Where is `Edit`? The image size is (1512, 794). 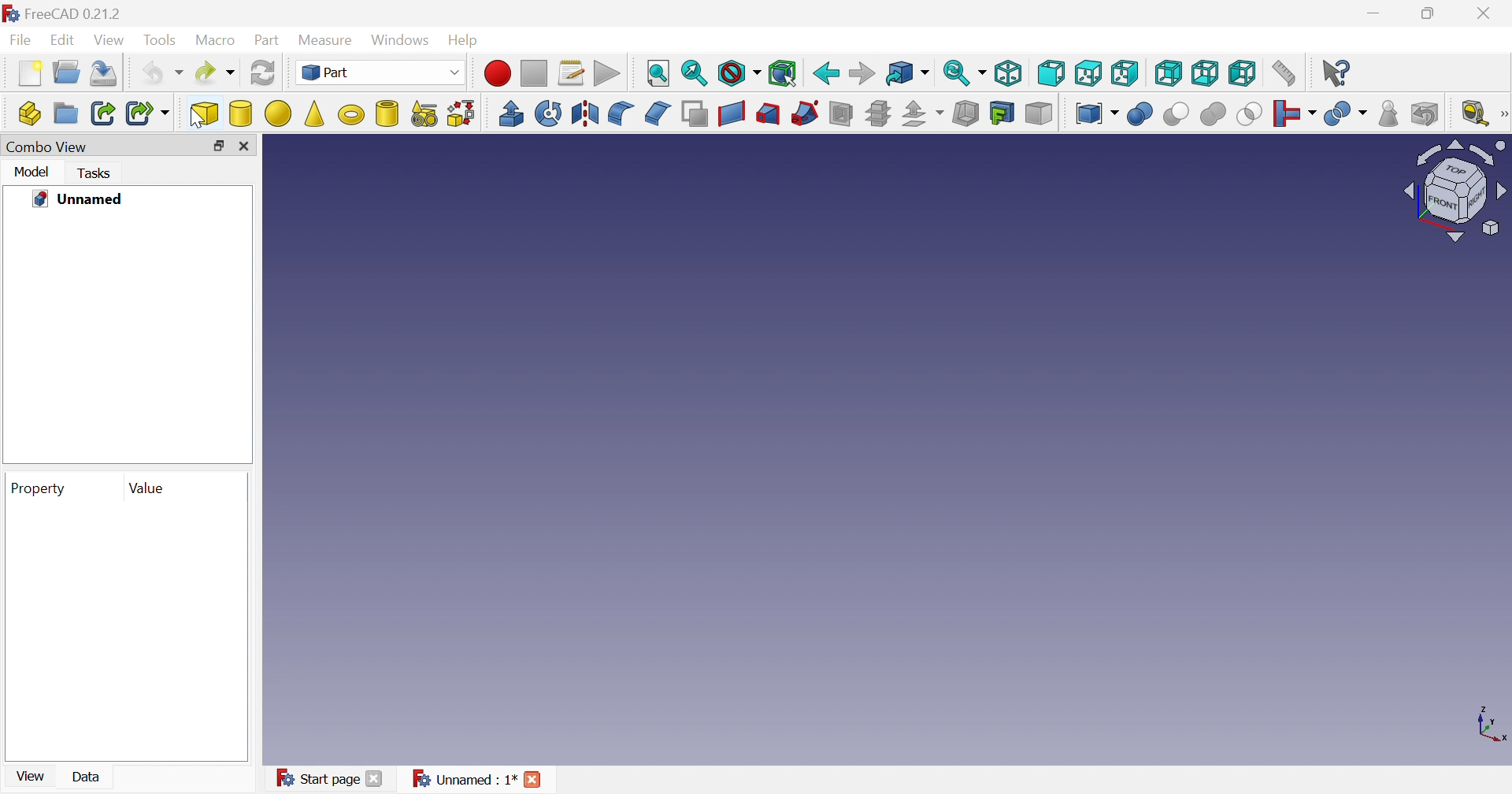
Edit is located at coordinates (61, 41).